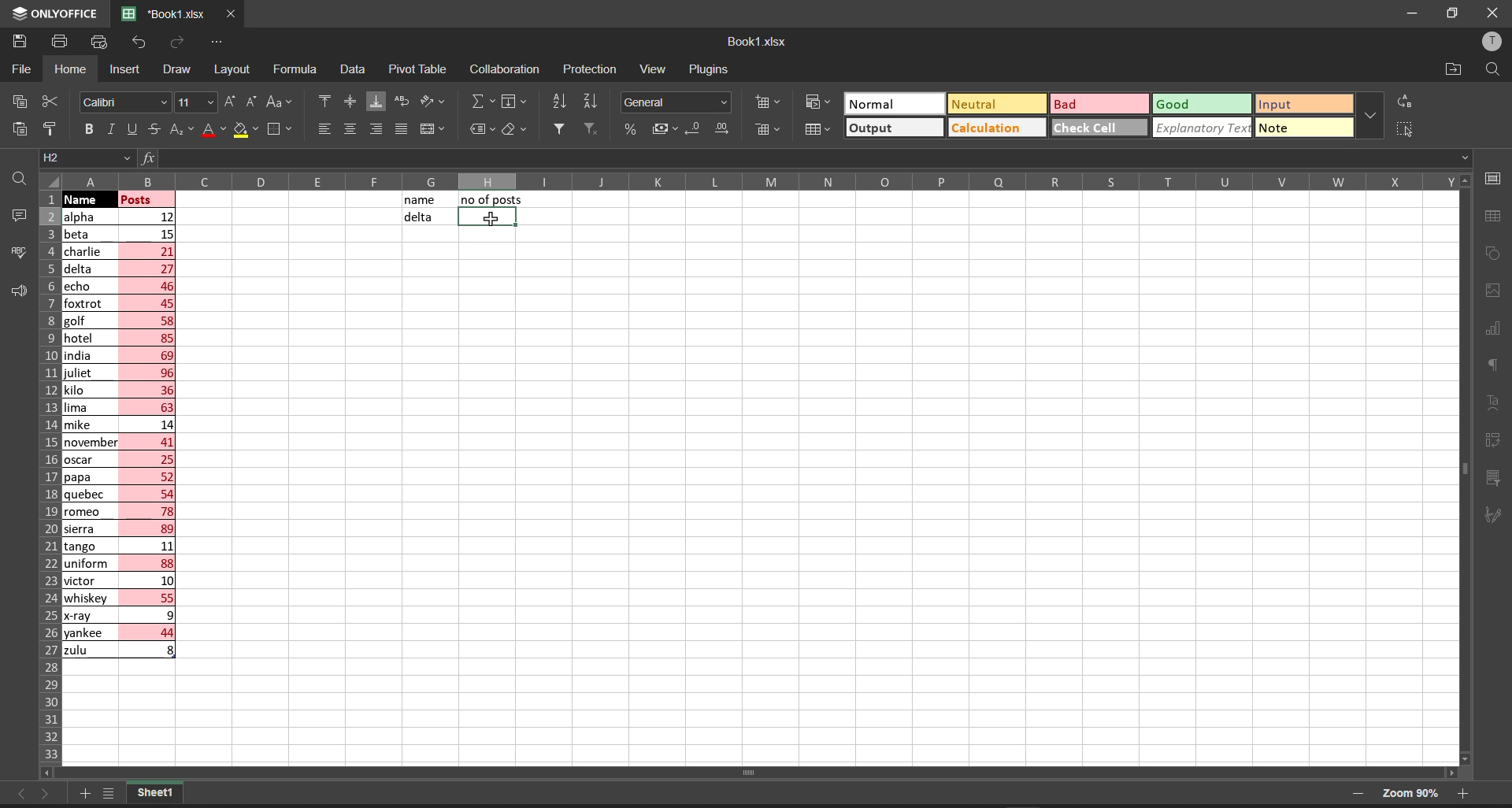 This screenshot has height=808, width=1512. What do you see at coordinates (321, 102) in the screenshot?
I see `align top` at bounding box center [321, 102].